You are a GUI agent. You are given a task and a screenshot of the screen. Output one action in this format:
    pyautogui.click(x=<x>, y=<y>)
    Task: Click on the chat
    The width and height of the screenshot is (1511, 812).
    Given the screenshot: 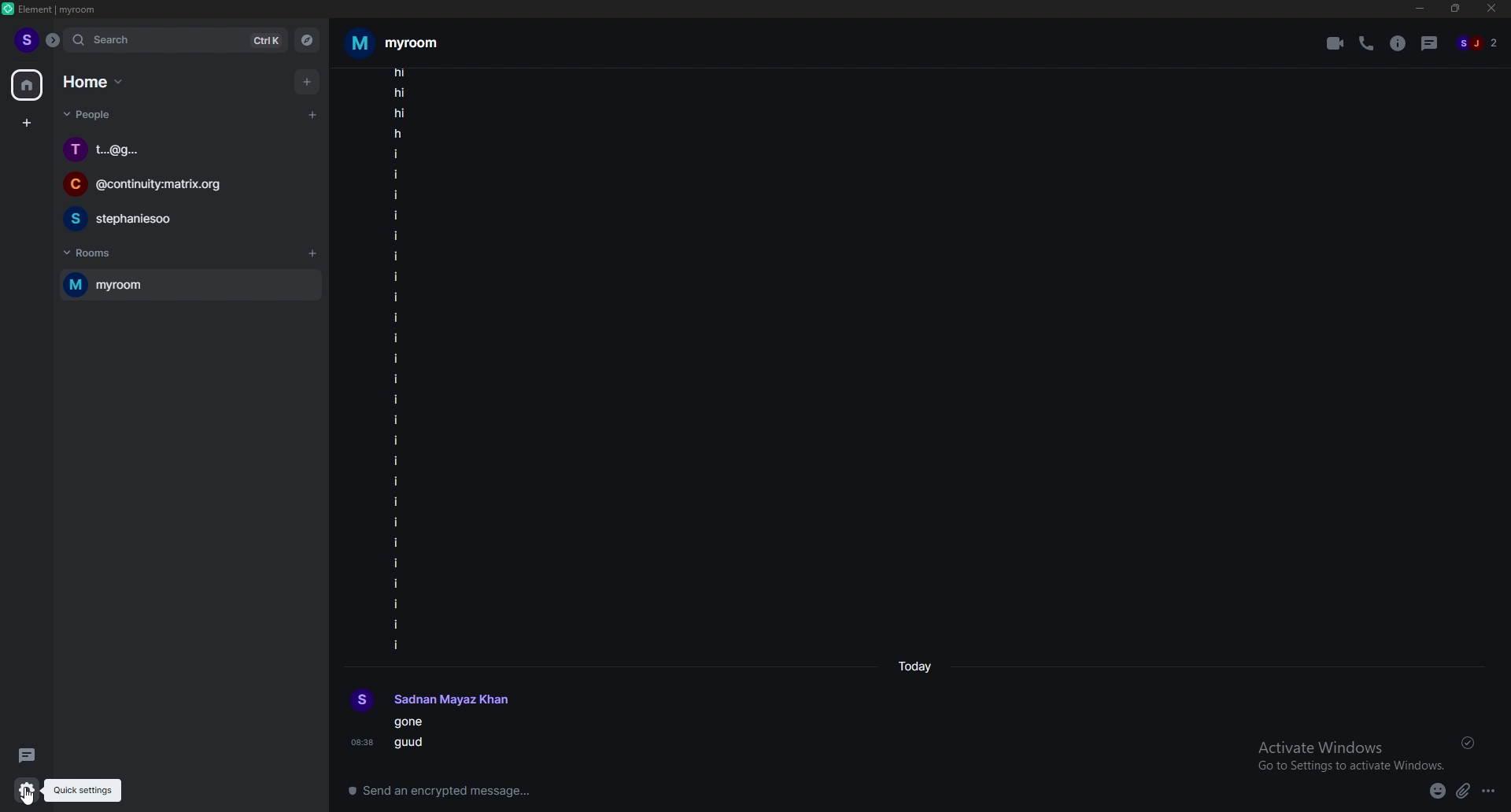 What is the action you would take?
    pyautogui.click(x=180, y=219)
    